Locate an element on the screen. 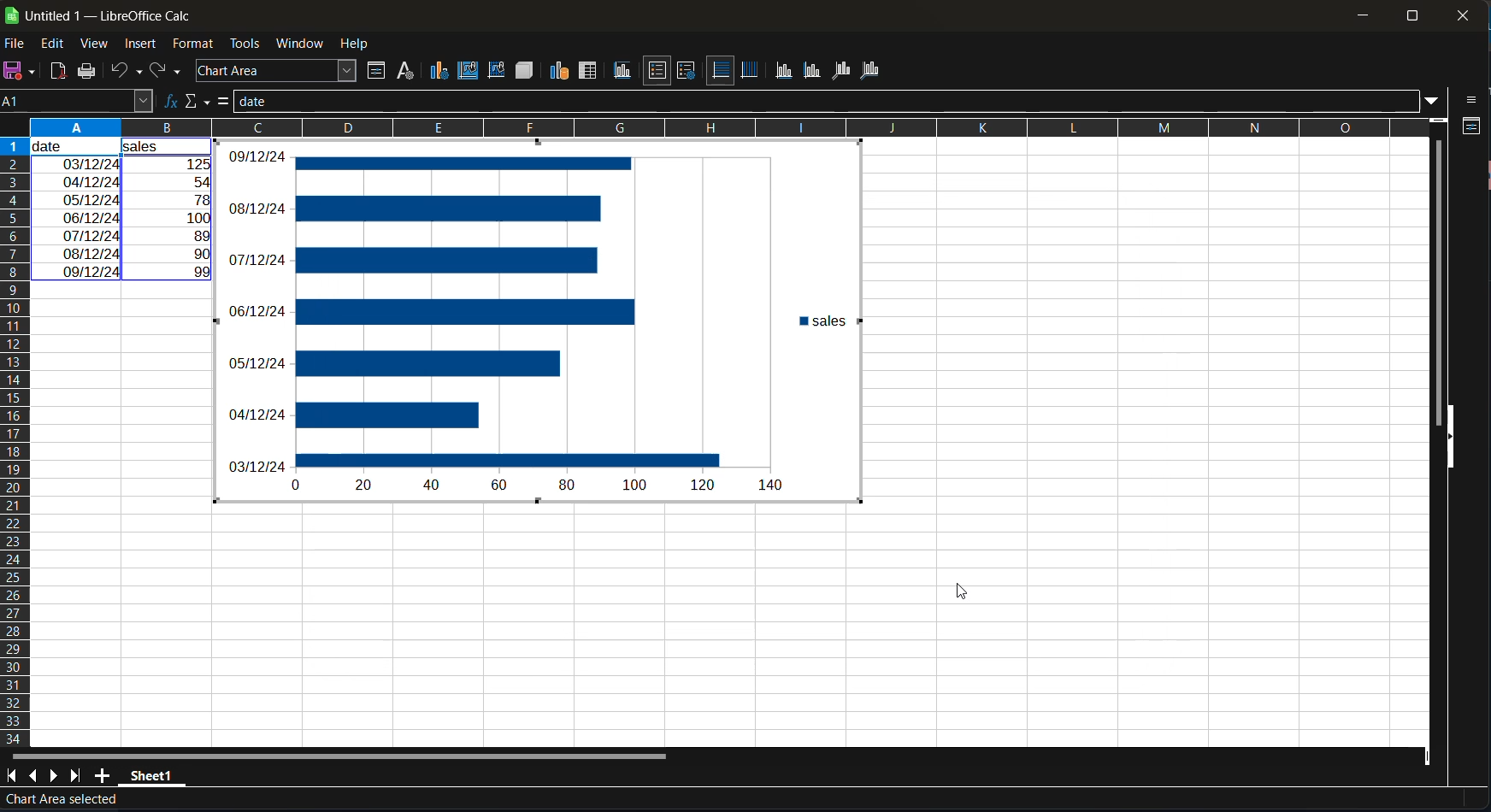 The image size is (1491, 812). bar chart is located at coordinates (540, 321).